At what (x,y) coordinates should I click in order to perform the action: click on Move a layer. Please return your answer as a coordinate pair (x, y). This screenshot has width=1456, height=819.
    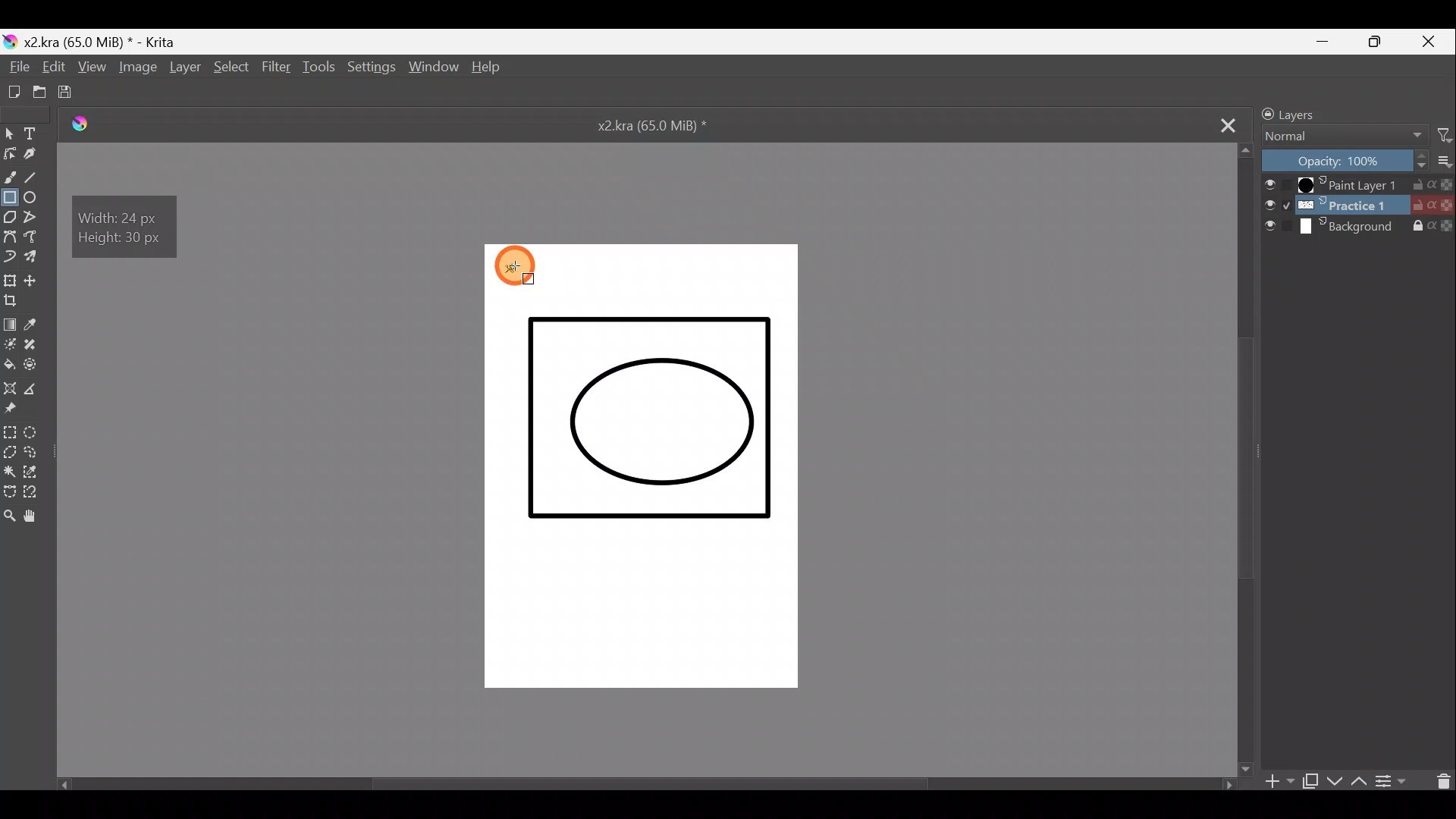
    Looking at the image, I should click on (33, 278).